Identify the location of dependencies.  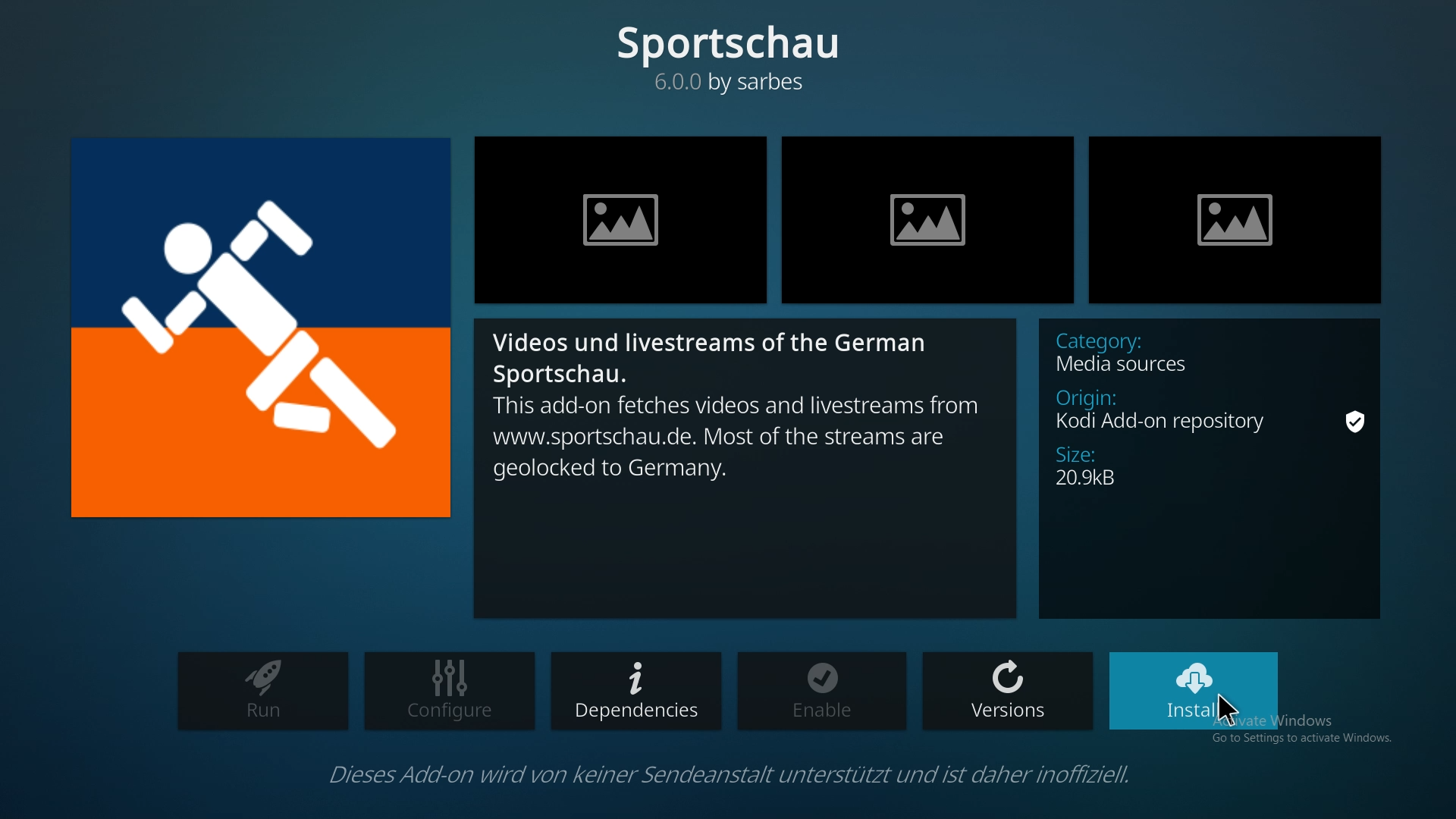
(635, 690).